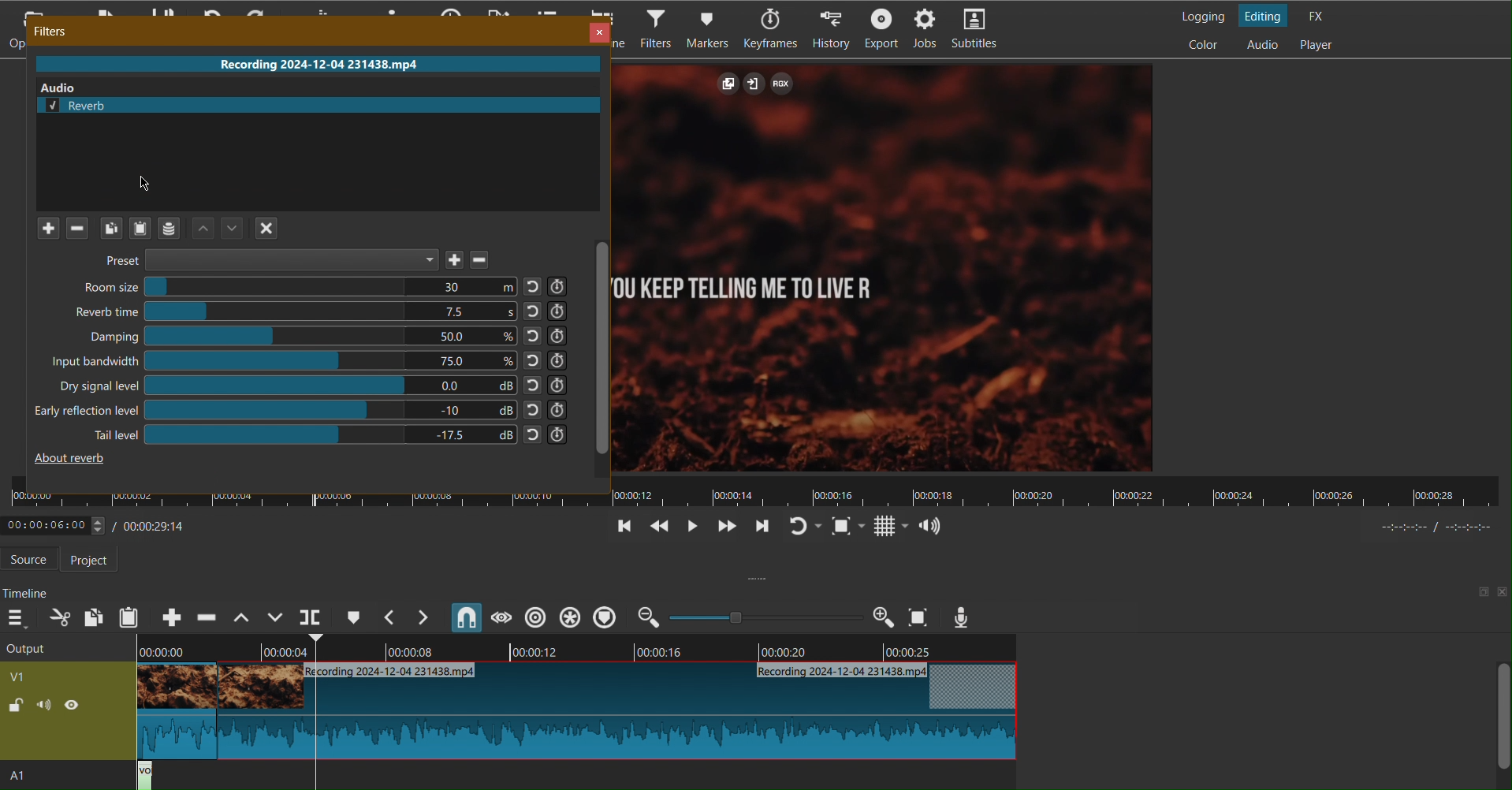  I want to click on Cue, so click(353, 617).